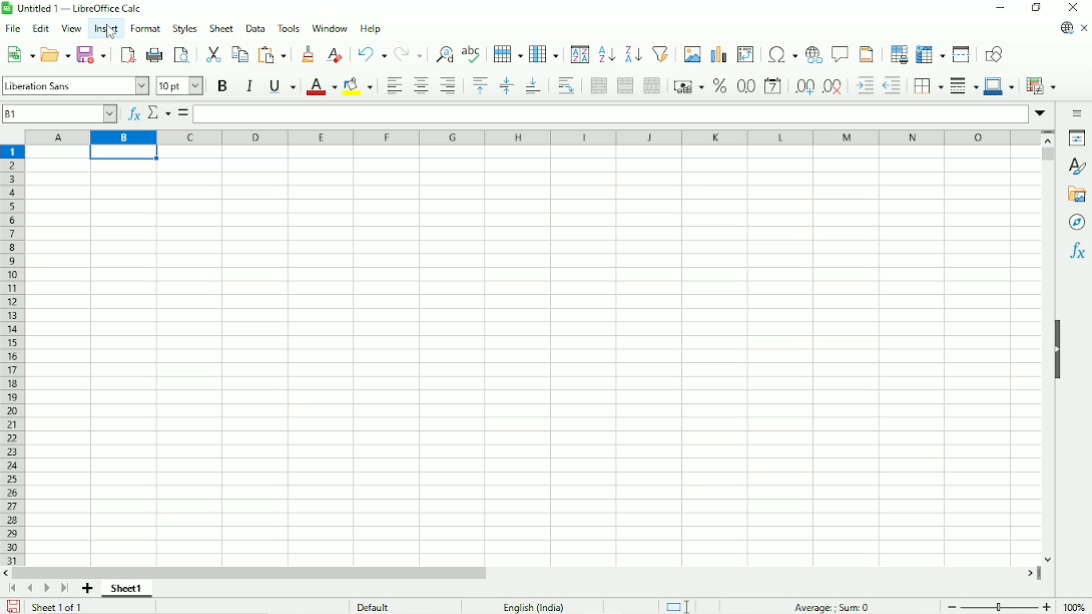 Image resolution: width=1092 pixels, height=614 pixels. Describe the element at coordinates (88, 588) in the screenshot. I see `Add sheet` at that location.